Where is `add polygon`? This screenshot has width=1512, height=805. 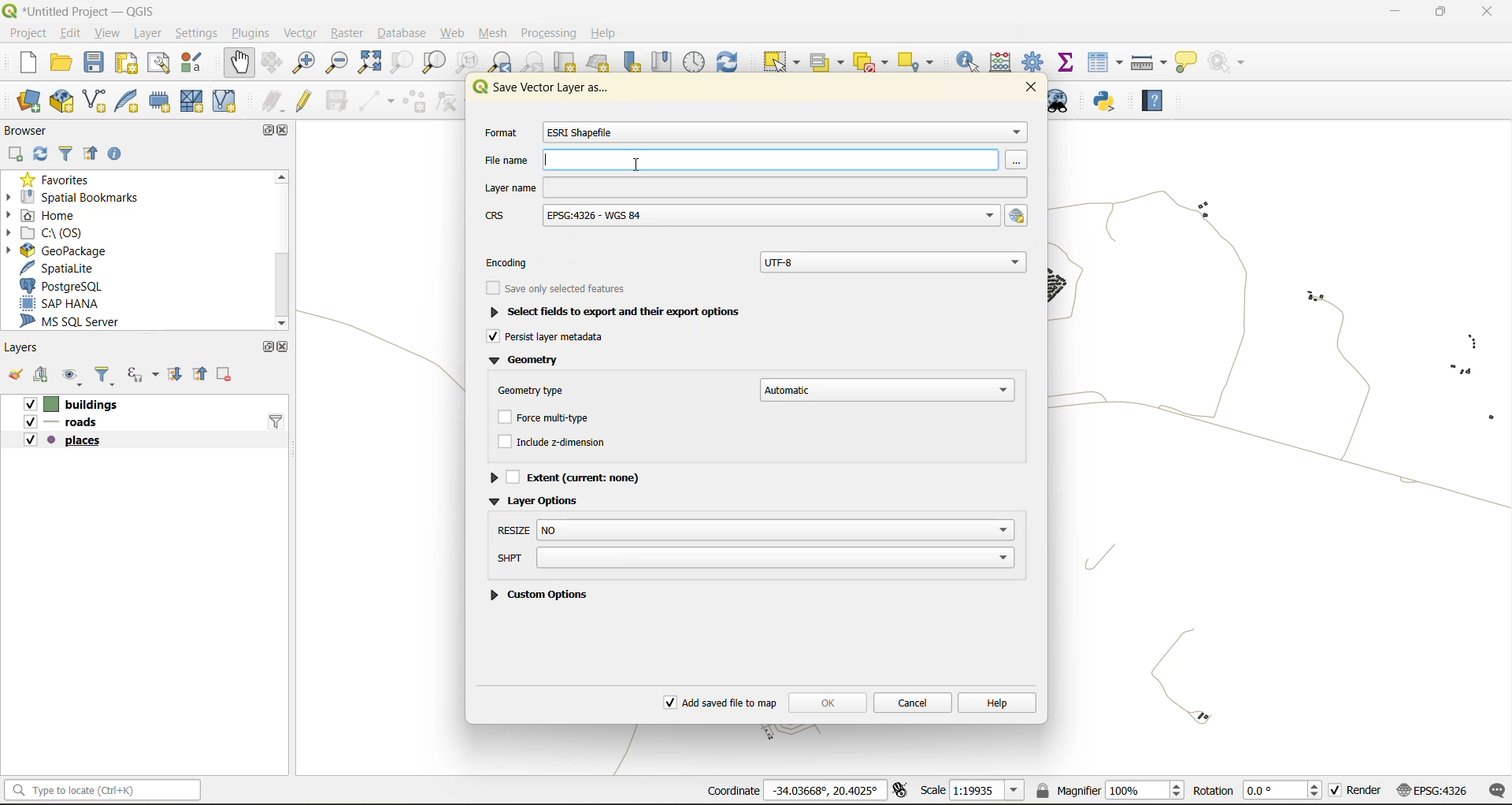 add polygon is located at coordinates (416, 102).